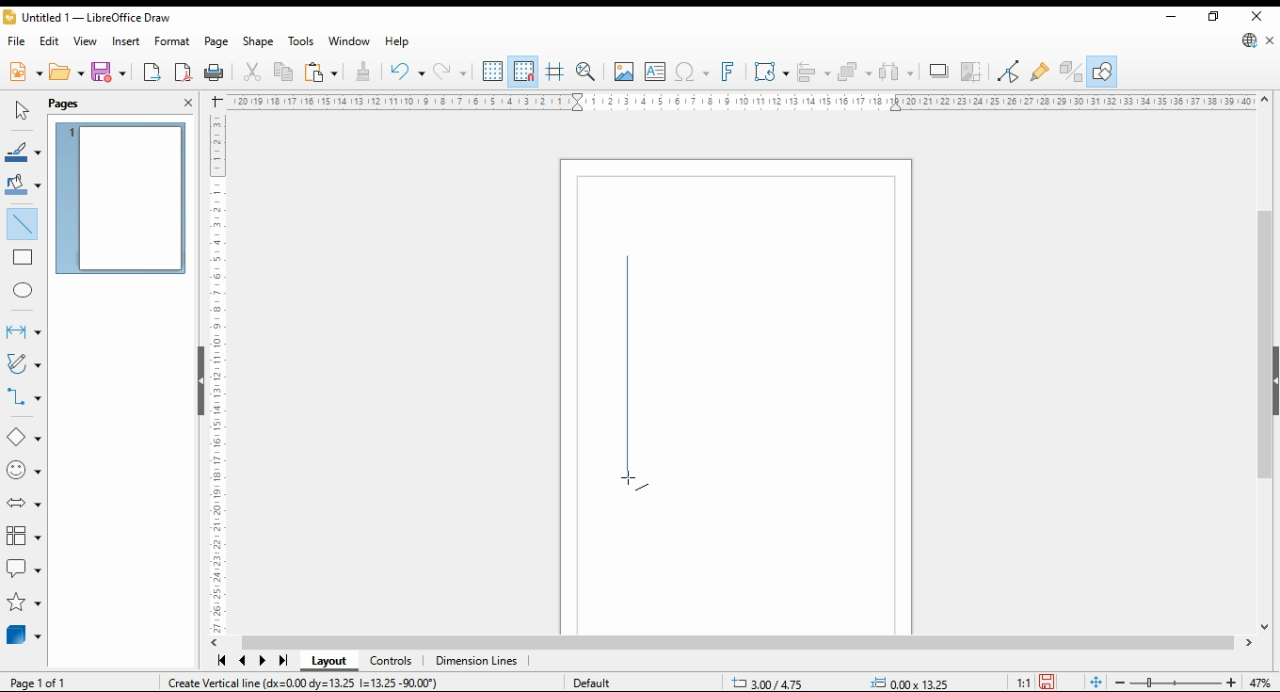 This screenshot has width=1280, height=692. What do you see at coordinates (855, 71) in the screenshot?
I see `arrange` at bounding box center [855, 71].